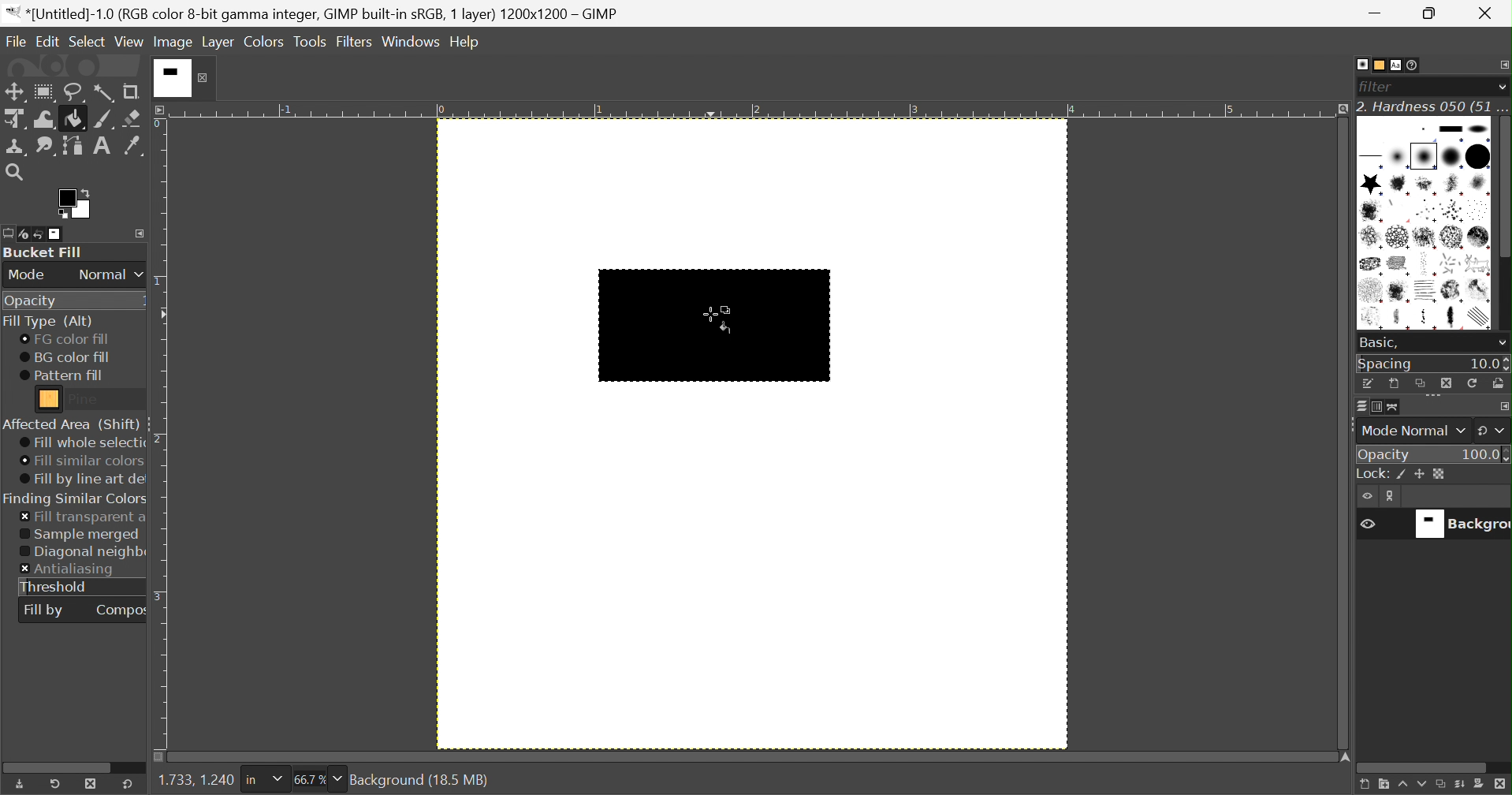 The width and height of the screenshot is (1512, 795). What do you see at coordinates (263, 780) in the screenshot?
I see `inches` at bounding box center [263, 780].